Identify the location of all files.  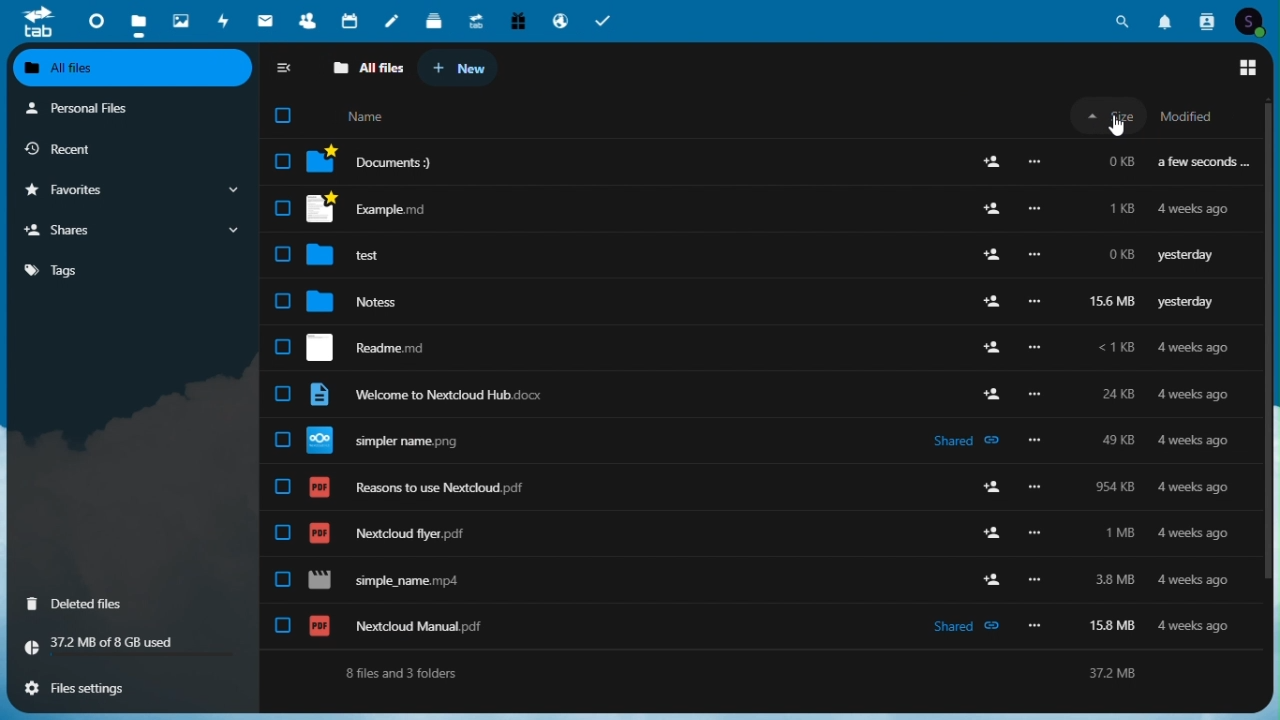
(365, 68).